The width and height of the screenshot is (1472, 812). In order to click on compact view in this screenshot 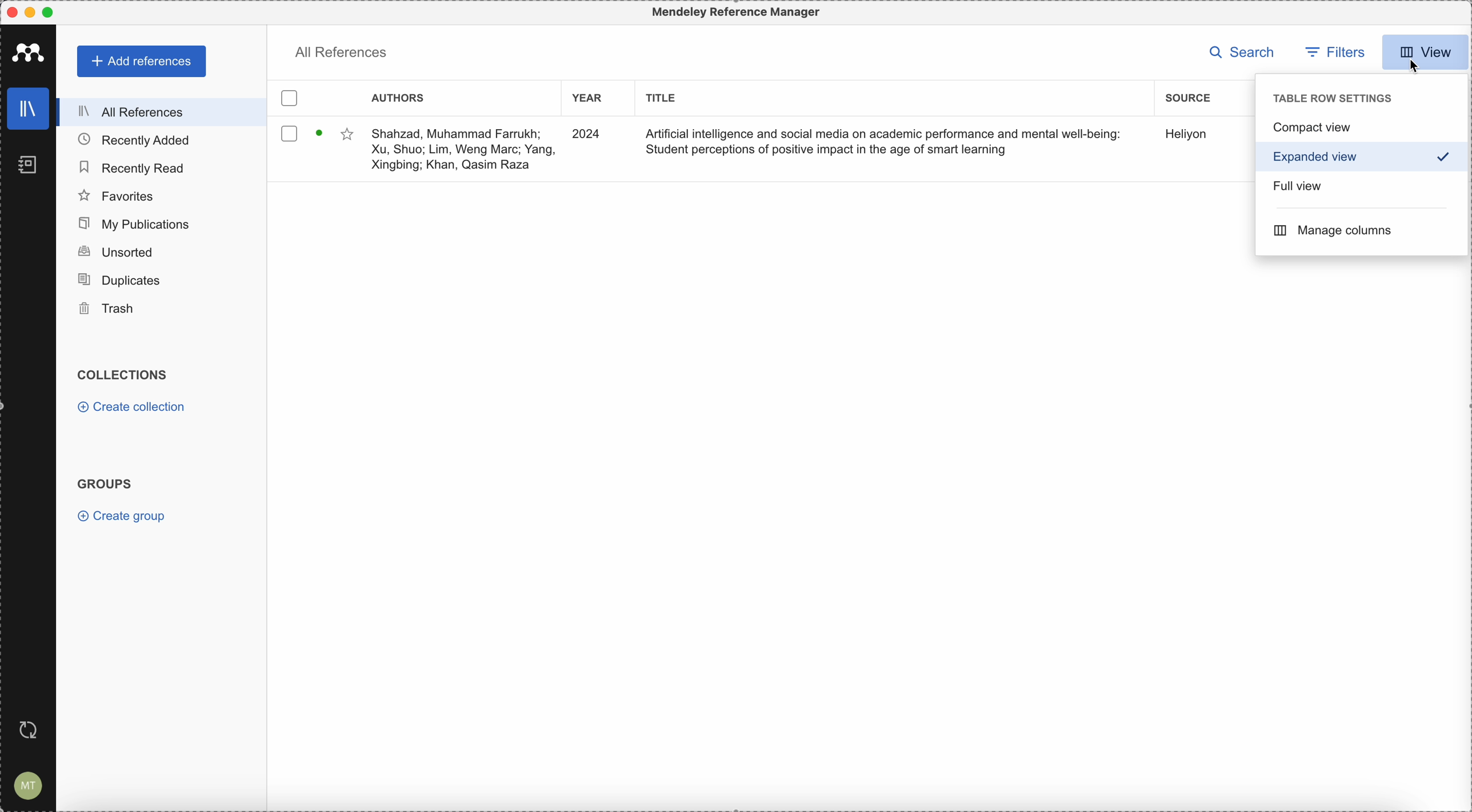, I will do `click(1362, 128)`.